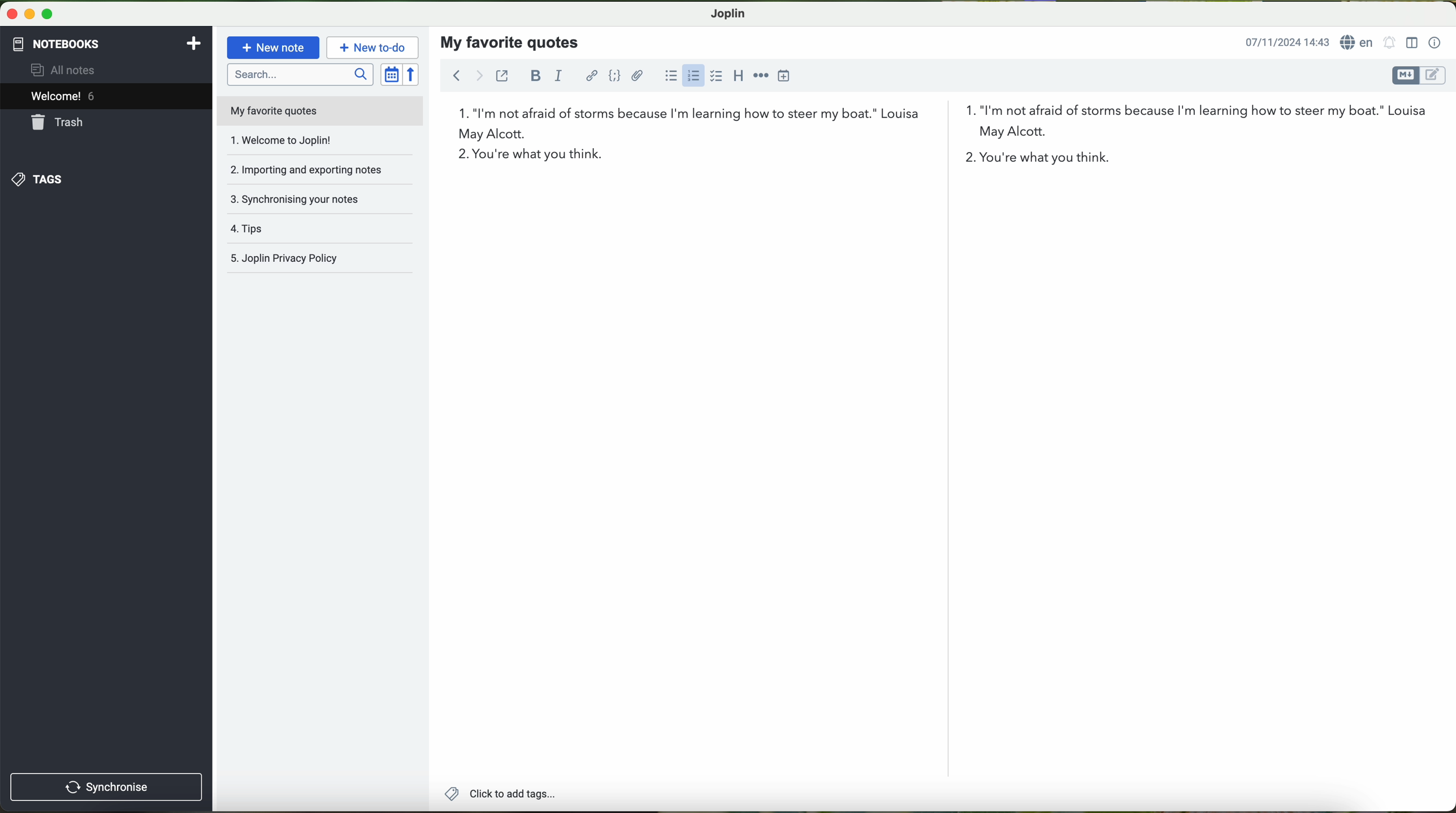  What do you see at coordinates (727, 13) in the screenshot?
I see `Joplin` at bounding box center [727, 13].